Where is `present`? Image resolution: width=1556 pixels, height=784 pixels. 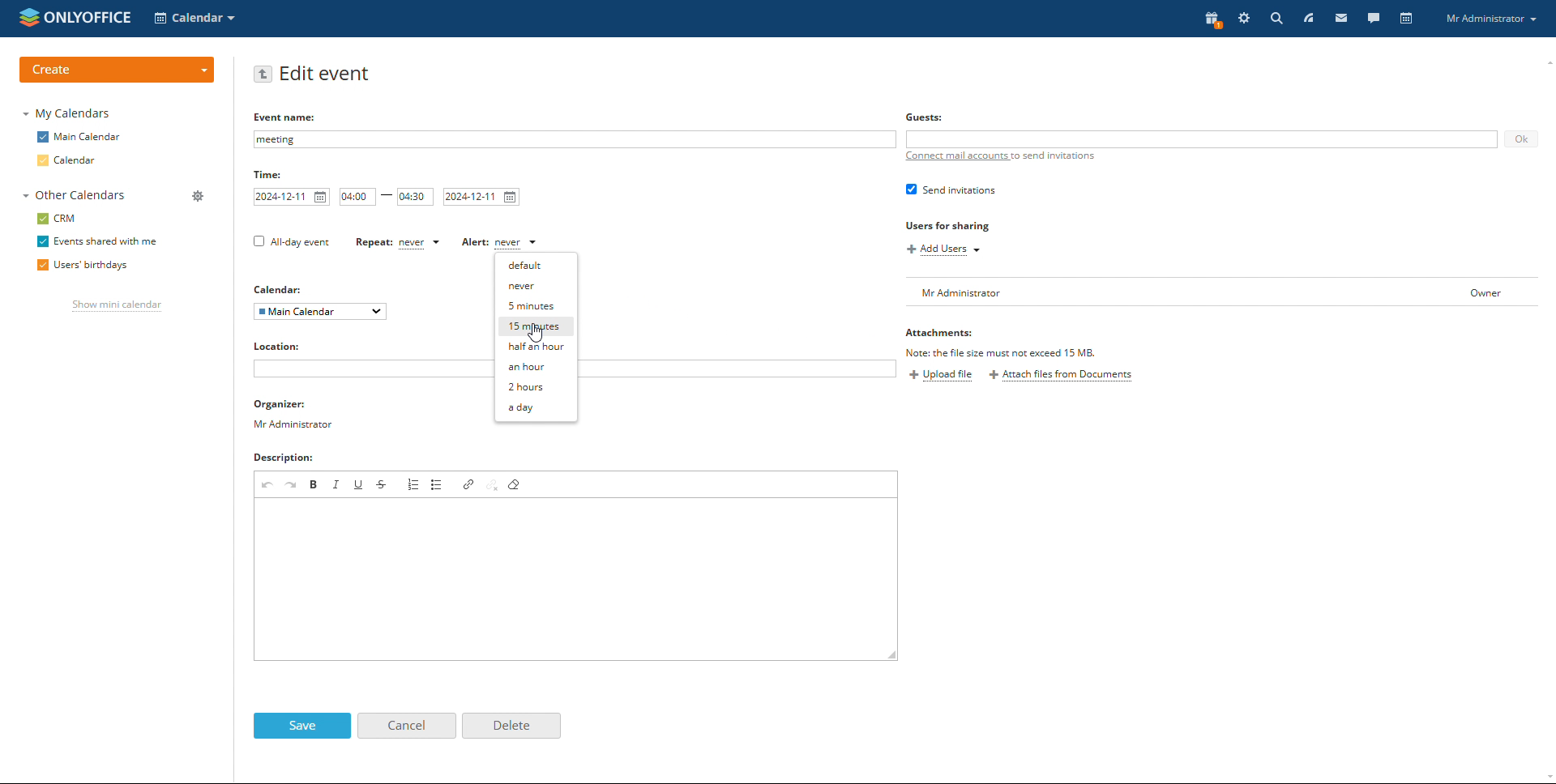
present is located at coordinates (1211, 19).